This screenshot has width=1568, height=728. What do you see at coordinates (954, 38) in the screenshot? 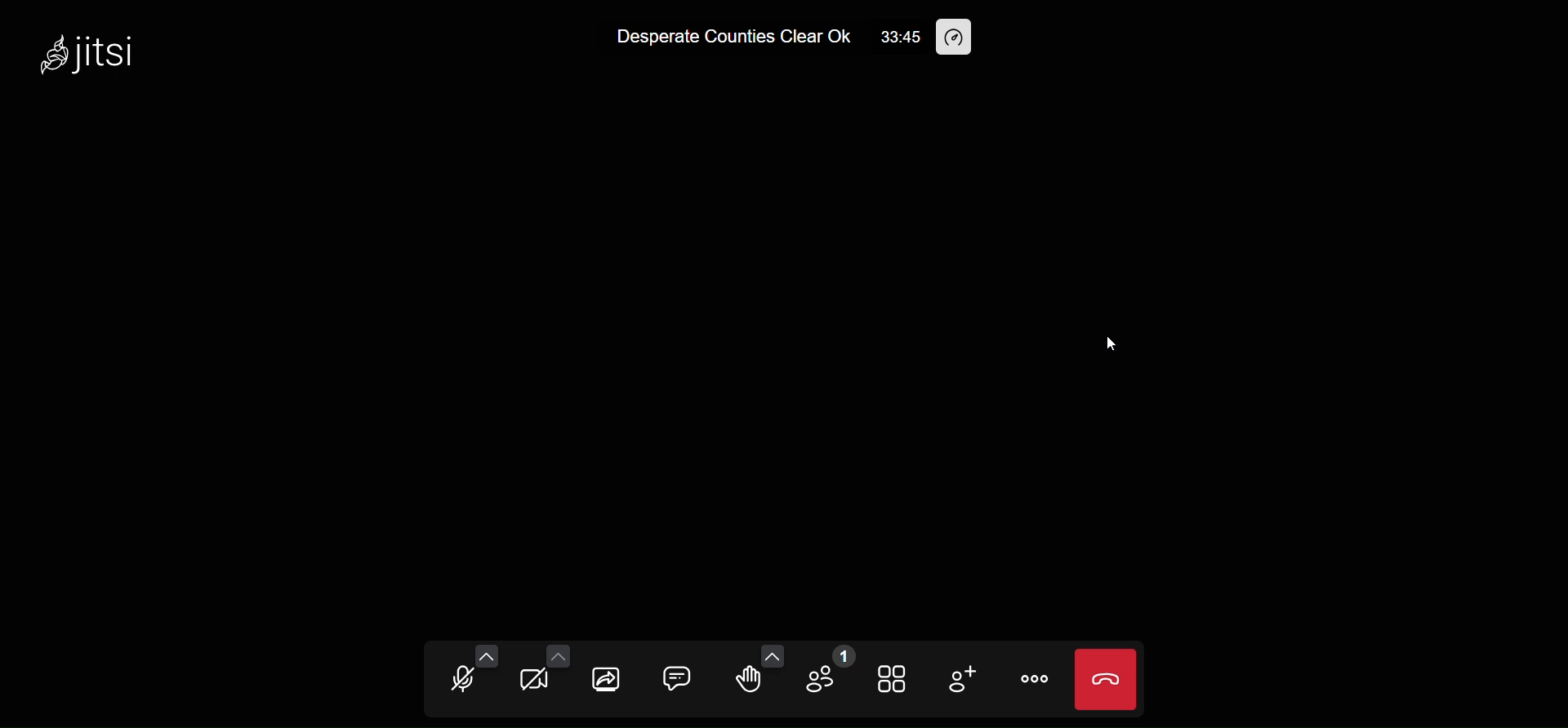
I see `performance setting` at bounding box center [954, 38].